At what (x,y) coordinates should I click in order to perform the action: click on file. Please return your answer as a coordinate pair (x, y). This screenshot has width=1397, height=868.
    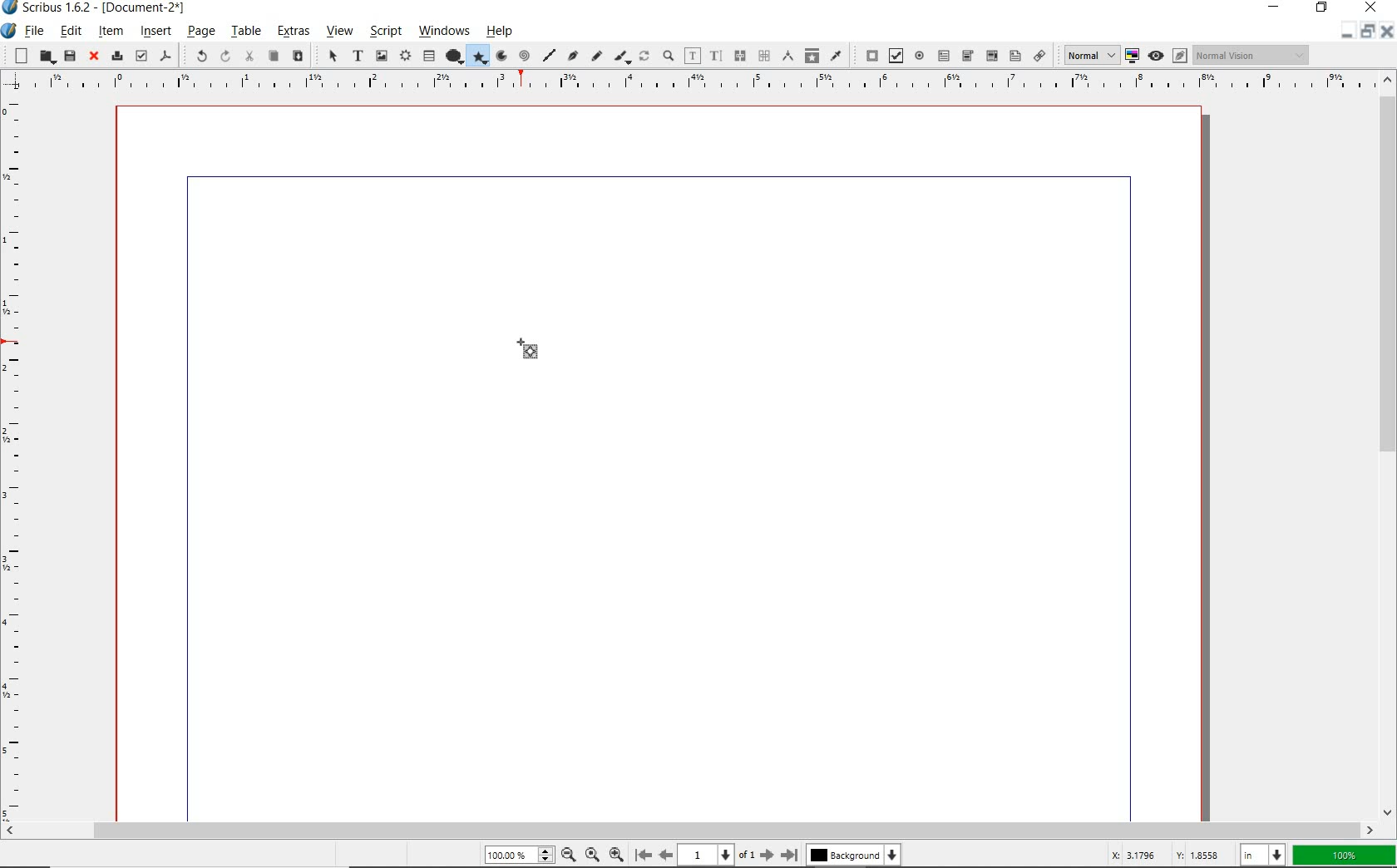
    Looking at the image, I should click on (35, 31).